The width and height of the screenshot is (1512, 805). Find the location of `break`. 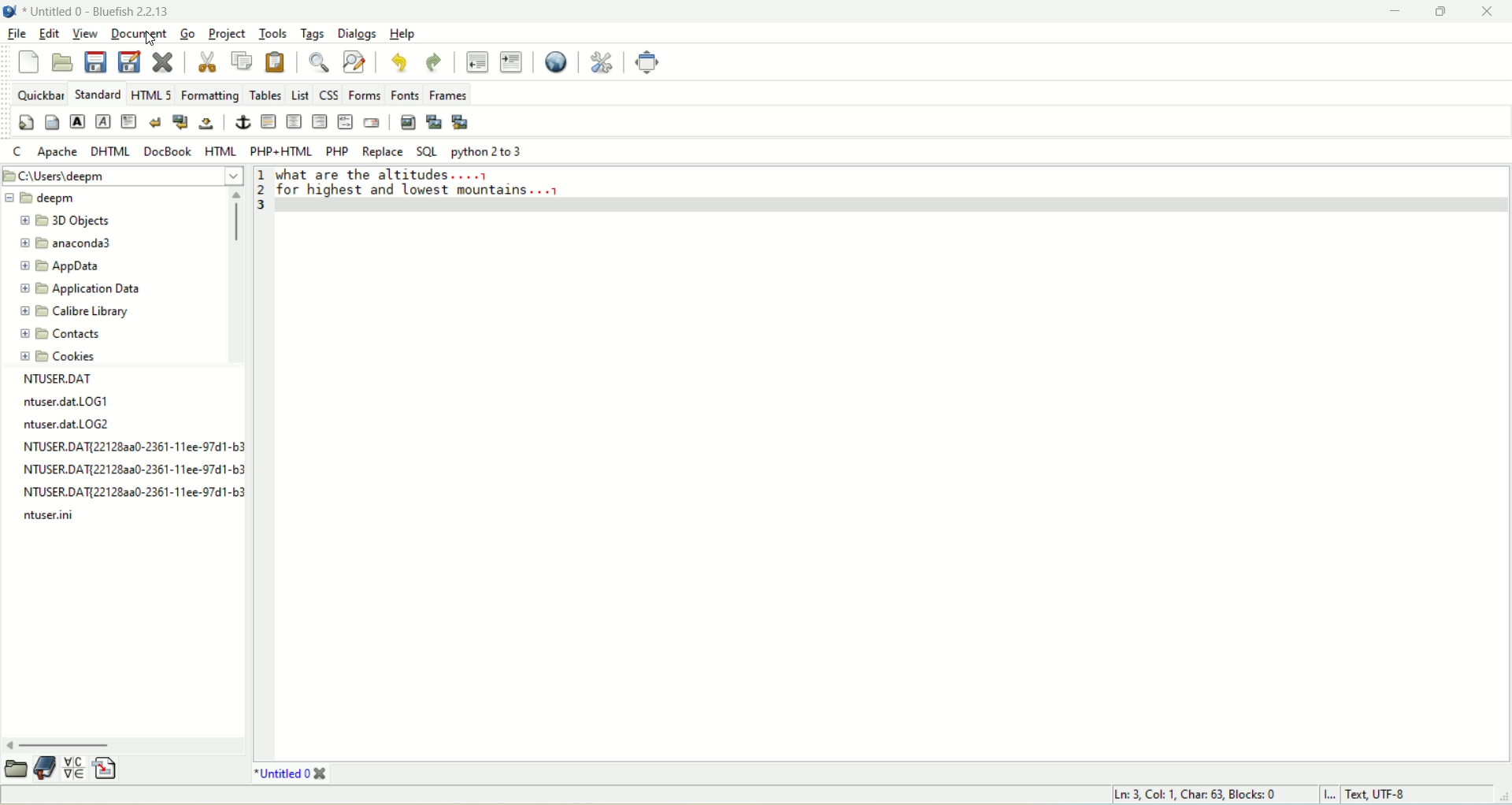

break is located at coordinates (154, 121).